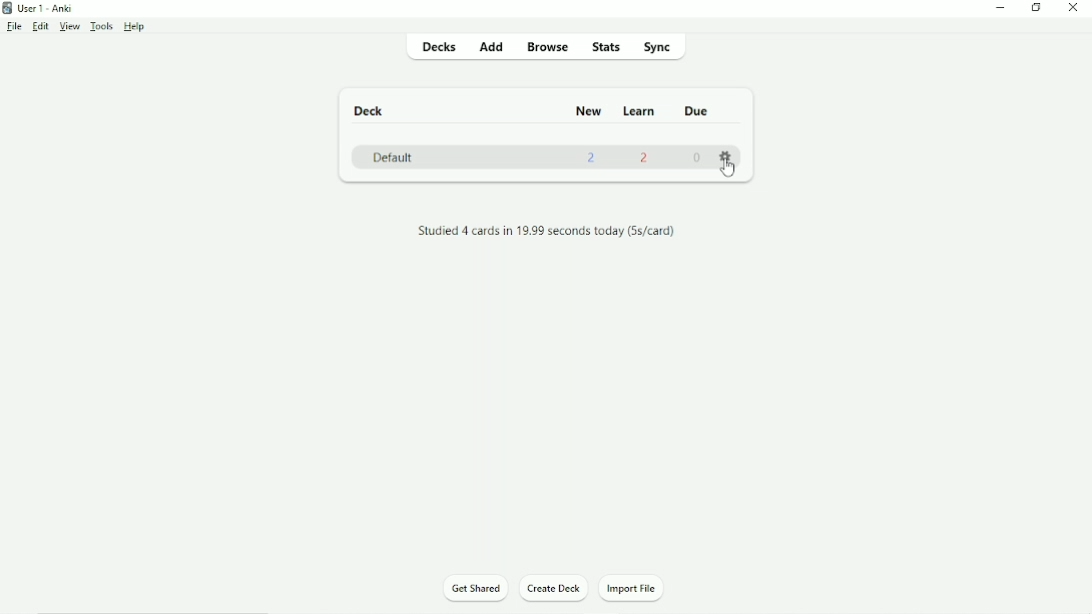  I want to click on Deck, so click(371, 111).